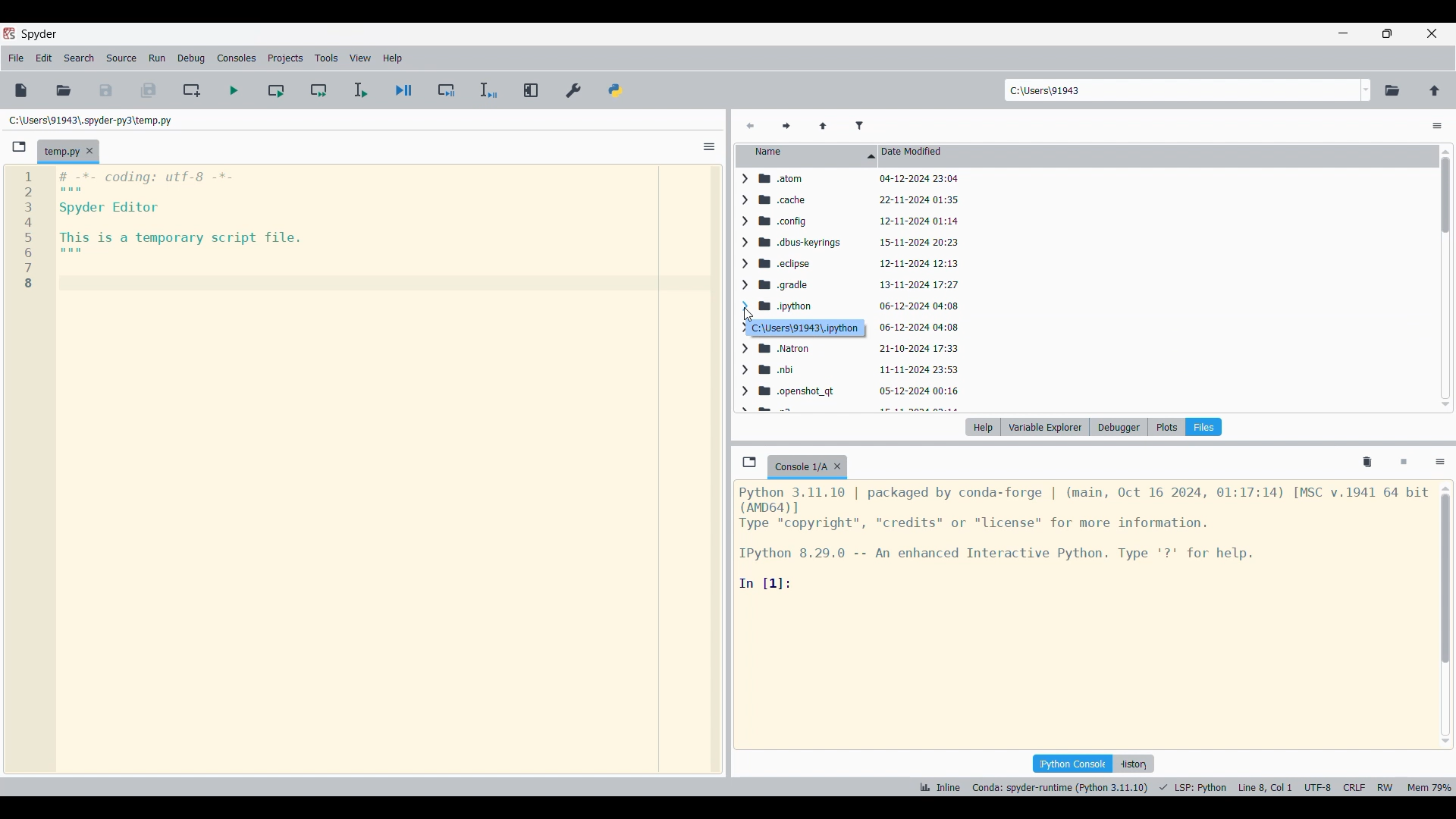  What do you see at coordinates (360, 58) in the screenshot?
I see `View menu` at bounding box center [360, 58].